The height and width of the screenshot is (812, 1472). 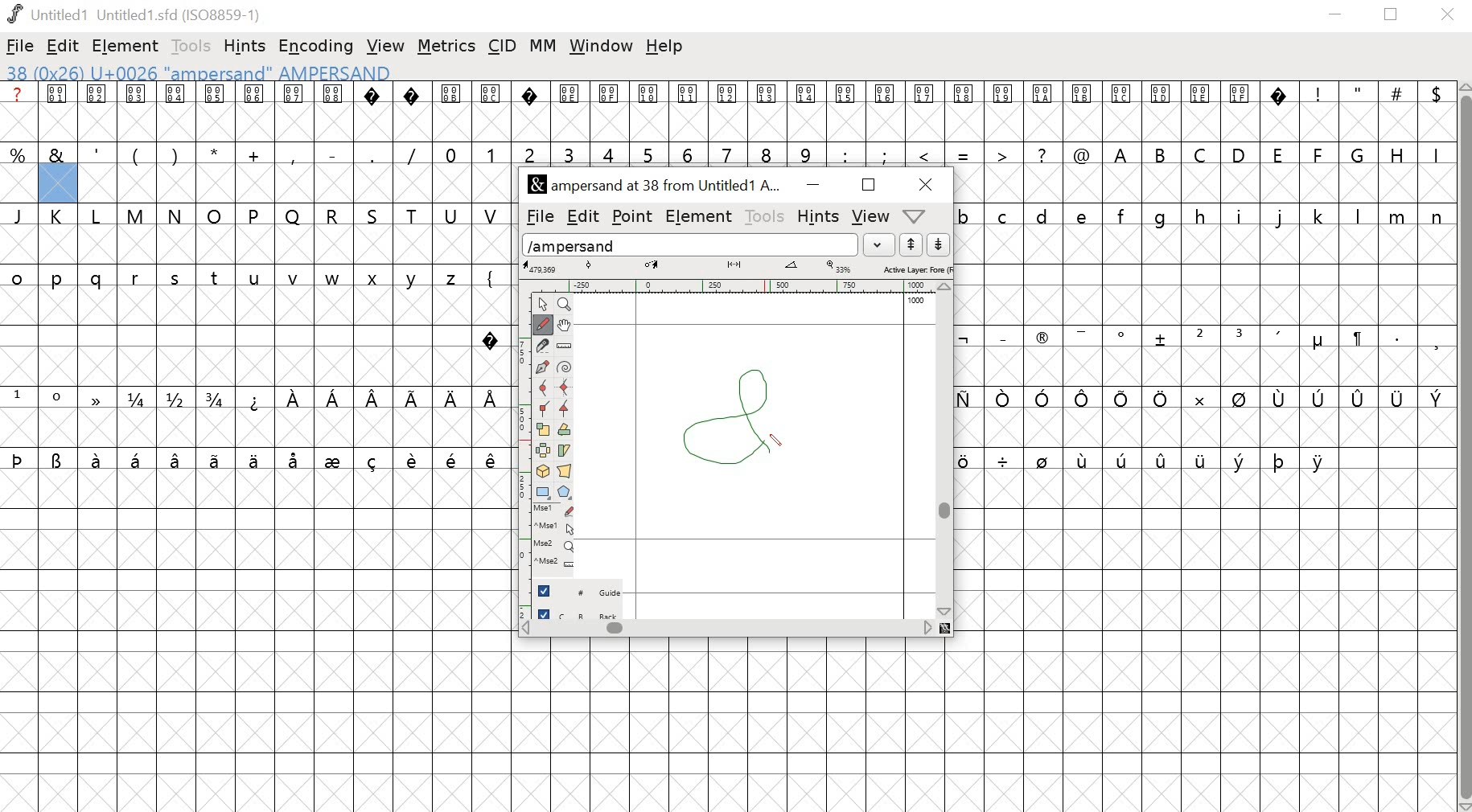 What do you see at coordinates (1122, 113) in the screenshot?
I see `001C` at bounding box center [1122, 113].